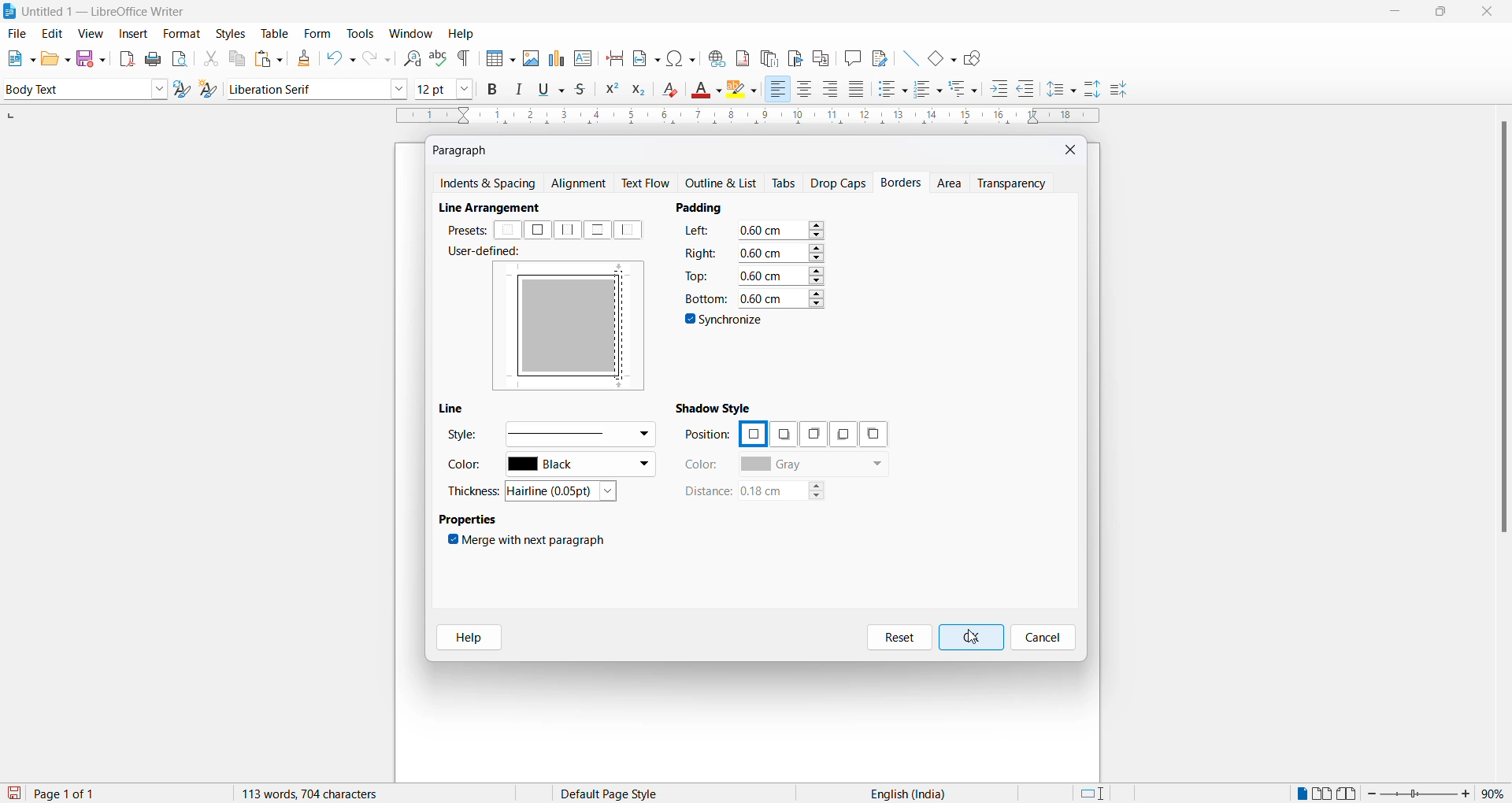 The width and height of the screenshot is (1512, 803). What do you see at coordinates (360, 34) in the screenshot?
I see `tools` at bounding box center [360, 34].